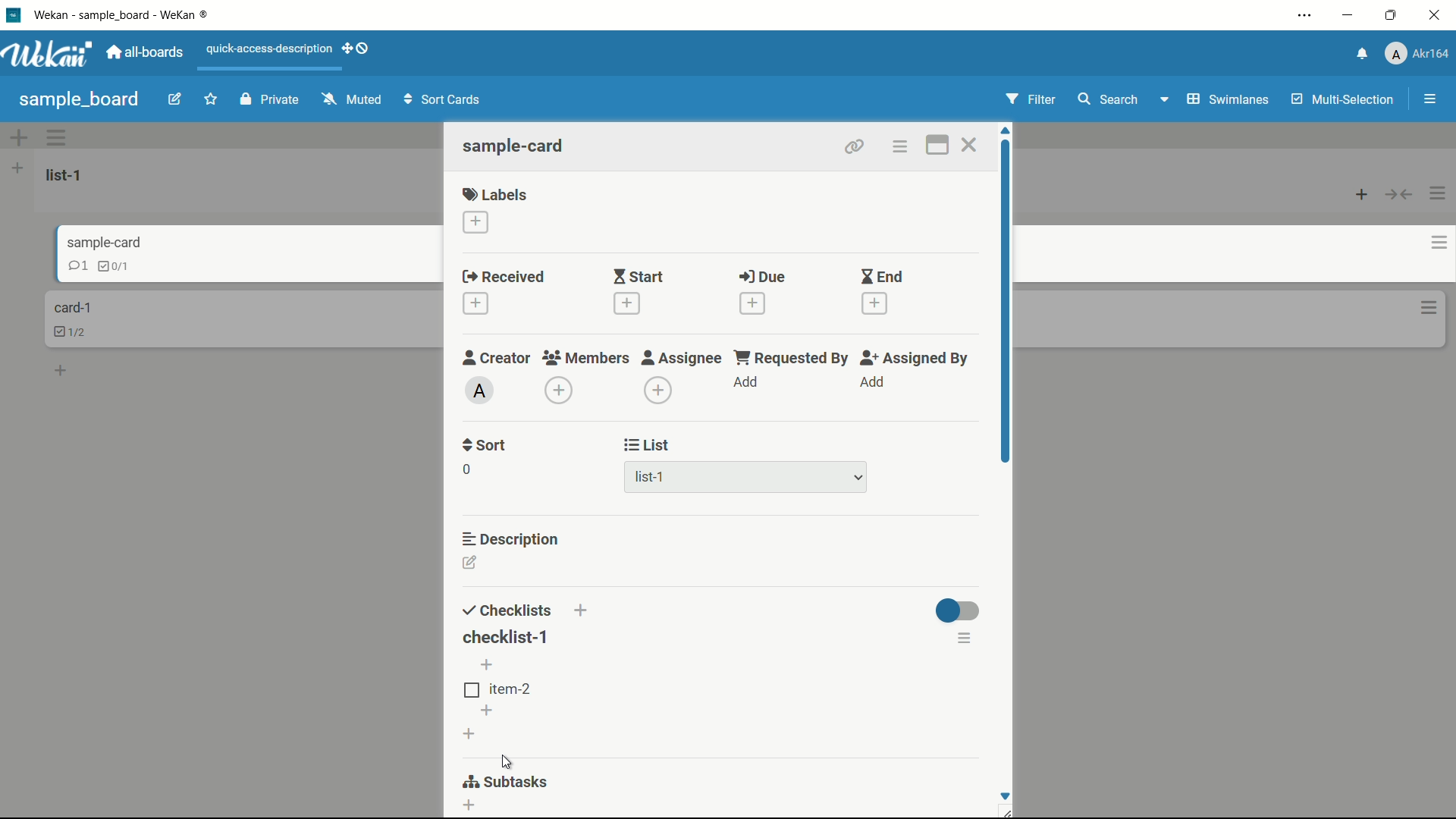 Image resolution: width=1456 pixels, height=819 pixels. I want to click on add item, so click(488, 665).